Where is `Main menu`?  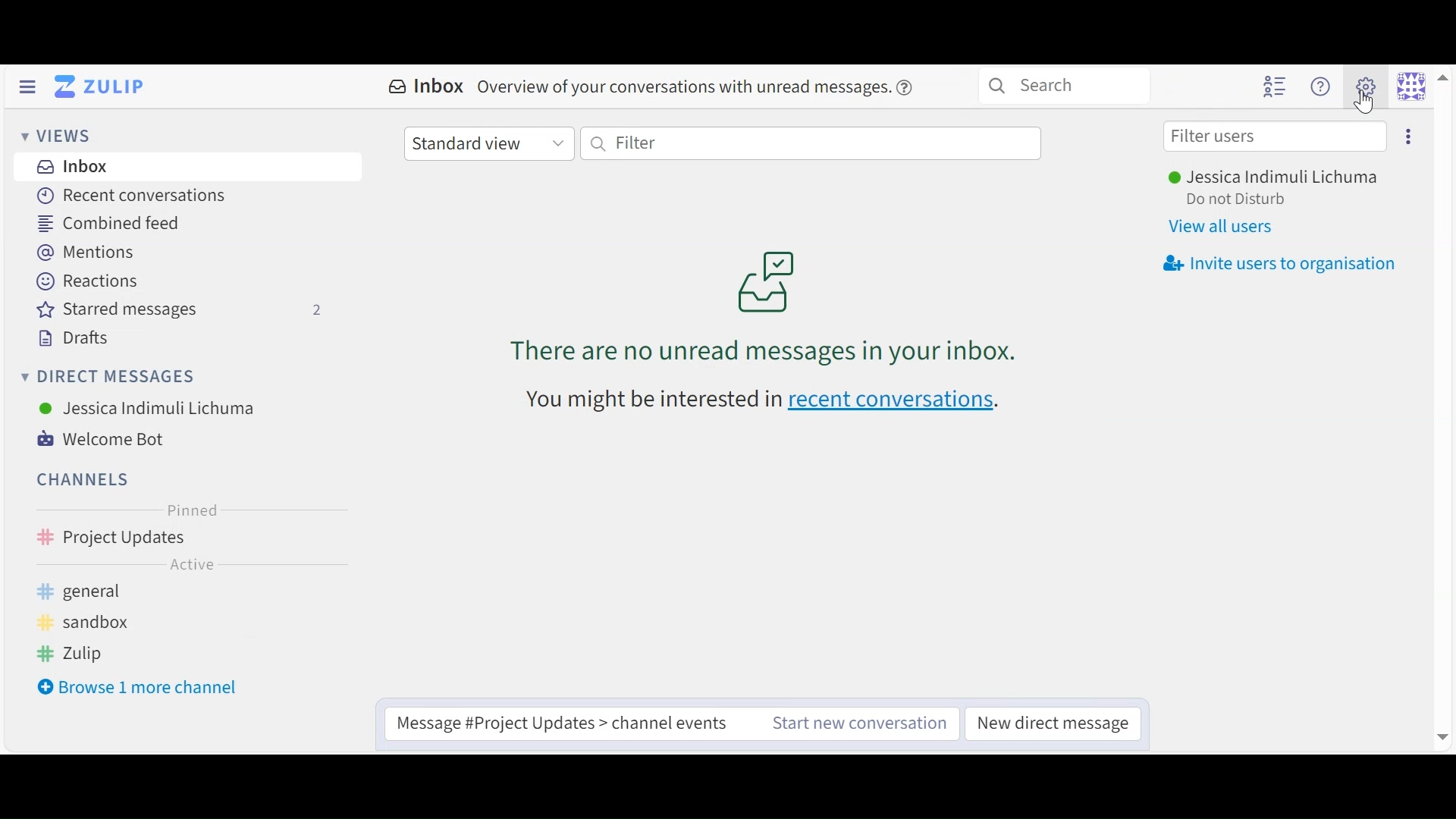 Main menu is located at coordinates (1367, 87).